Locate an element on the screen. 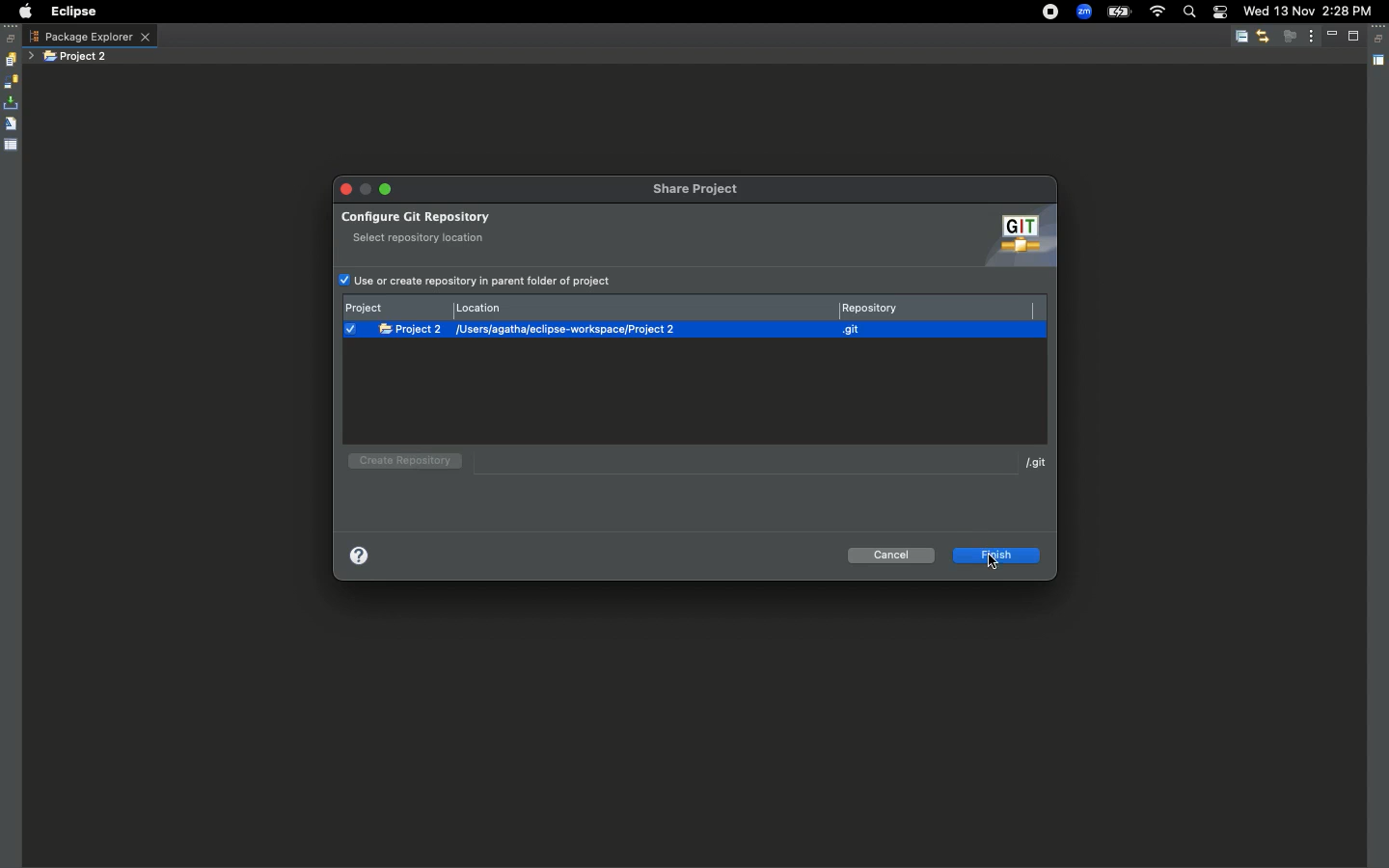  Search is located at coordinates (1188, 14).